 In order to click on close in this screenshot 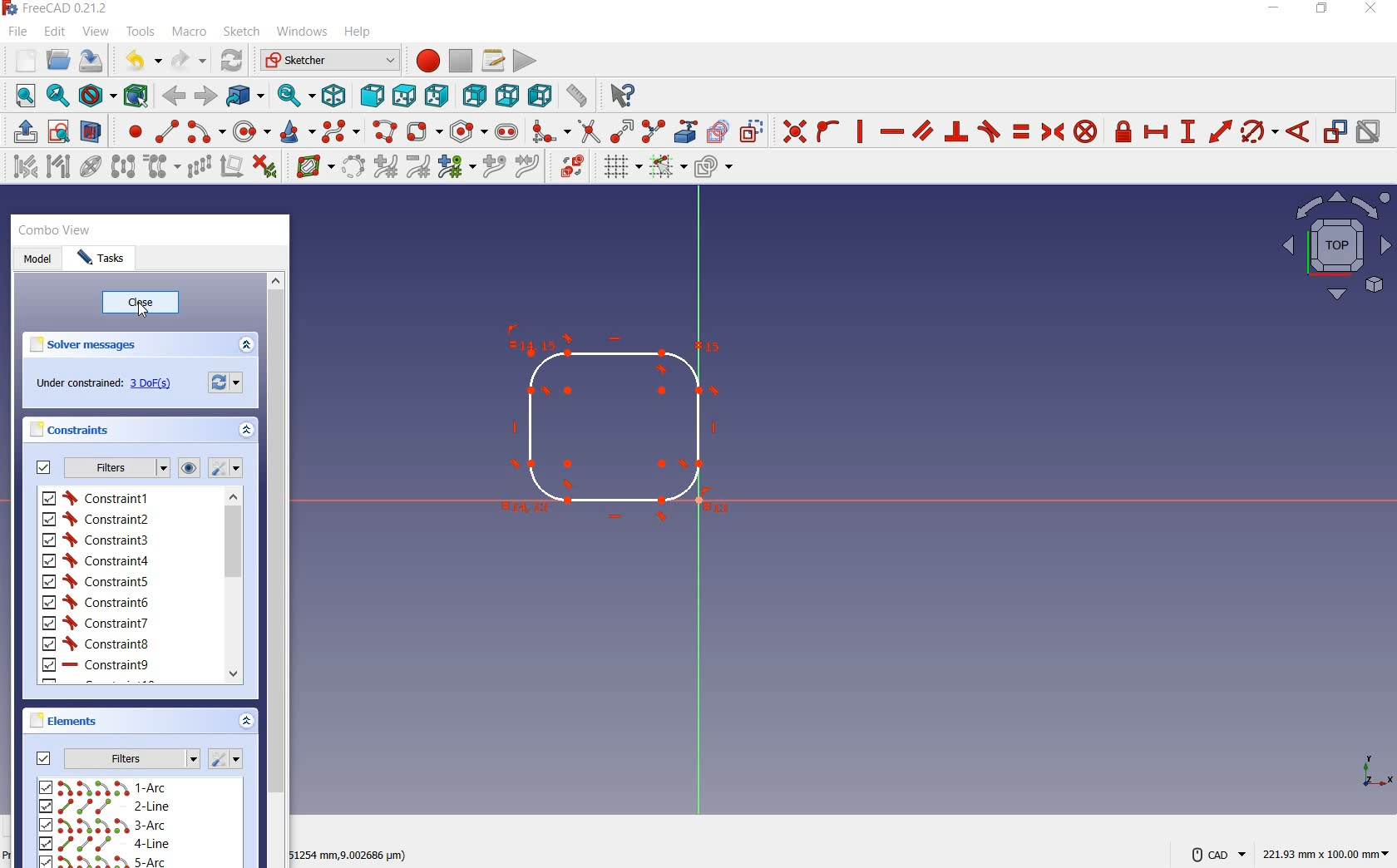, I will do `click(1370, 12)`.